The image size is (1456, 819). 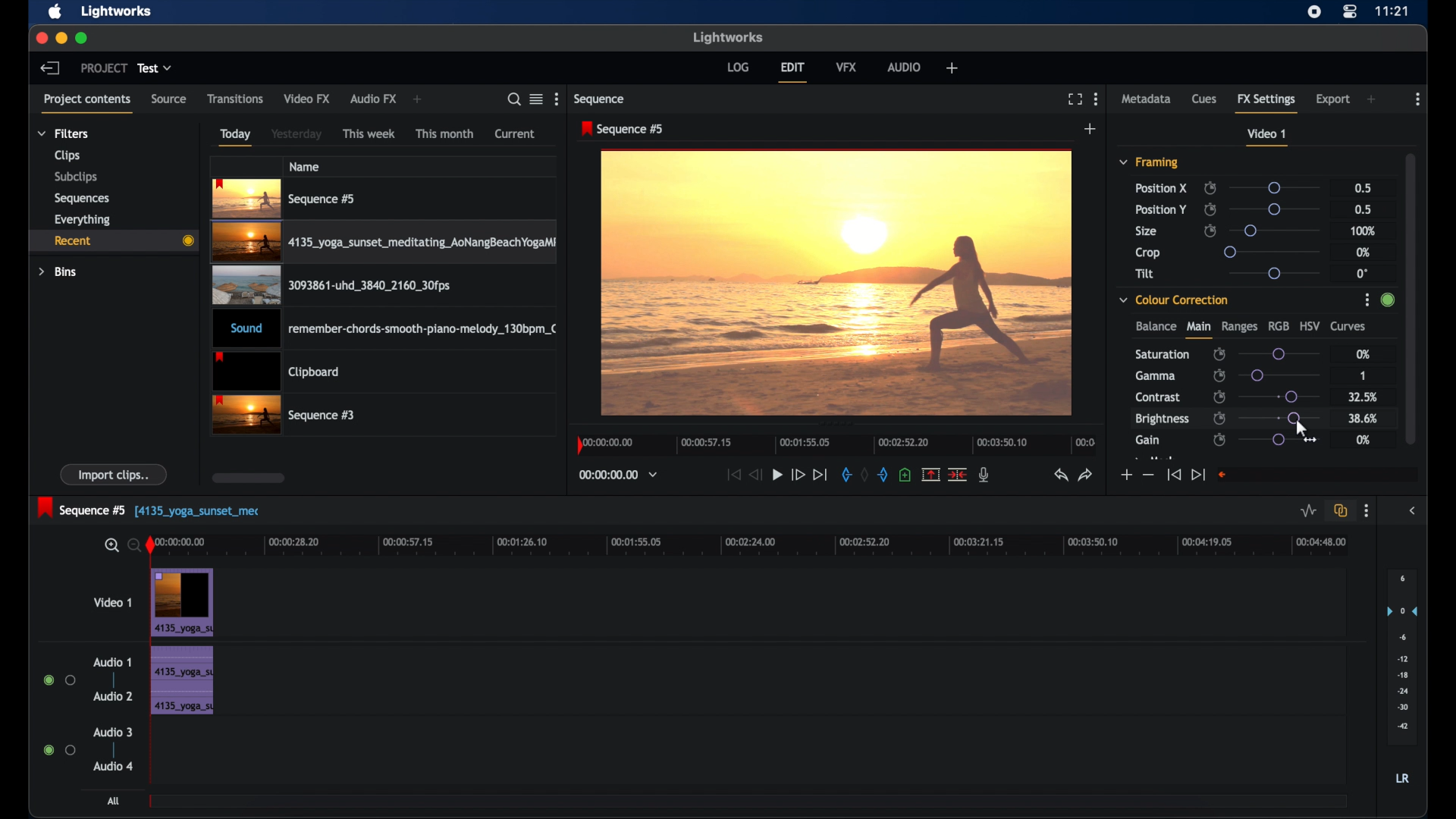 I want to click on out mark, so click(x=884, y=475).